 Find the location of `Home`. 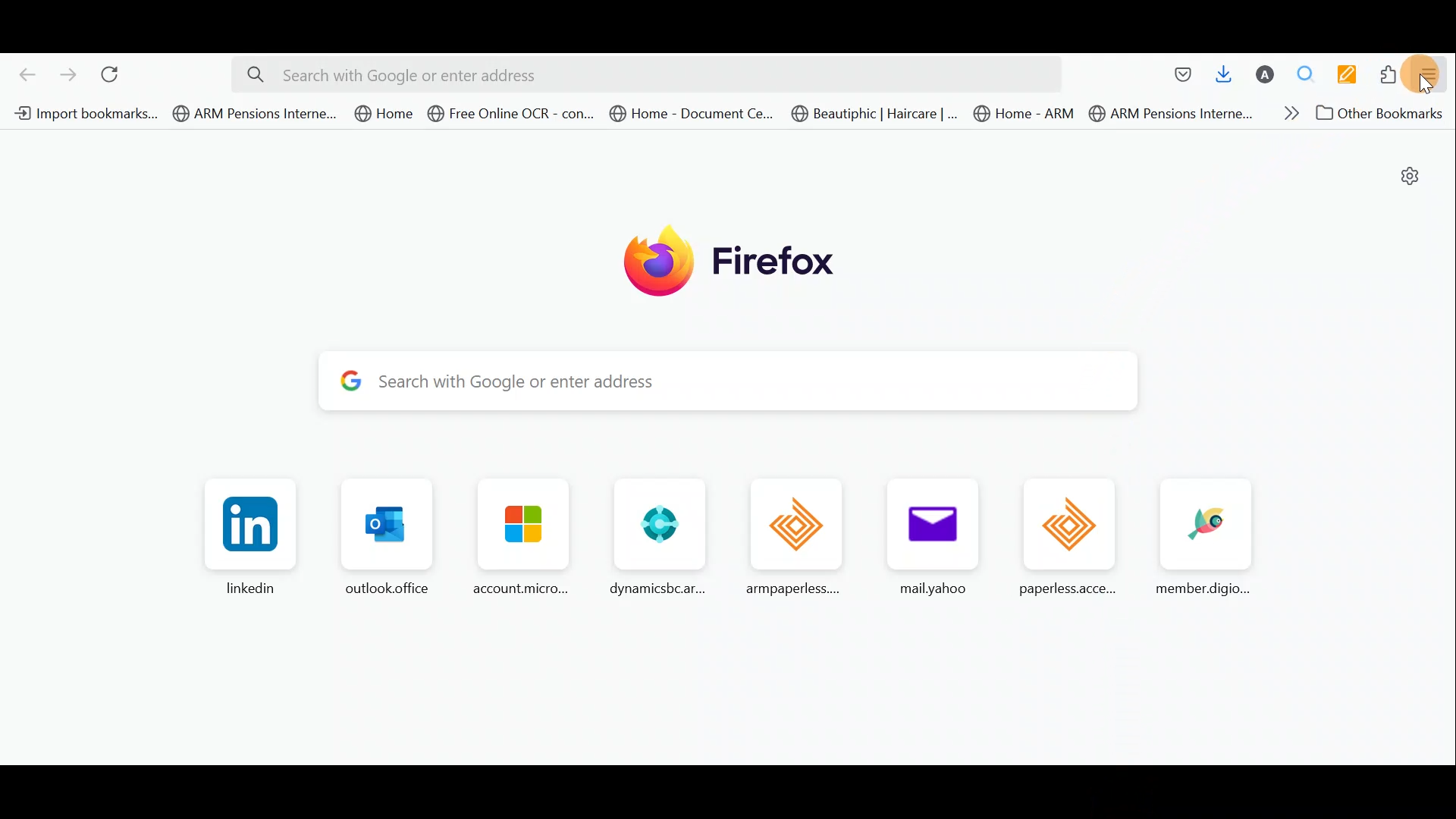

Home is located at coordinates (385, 113).